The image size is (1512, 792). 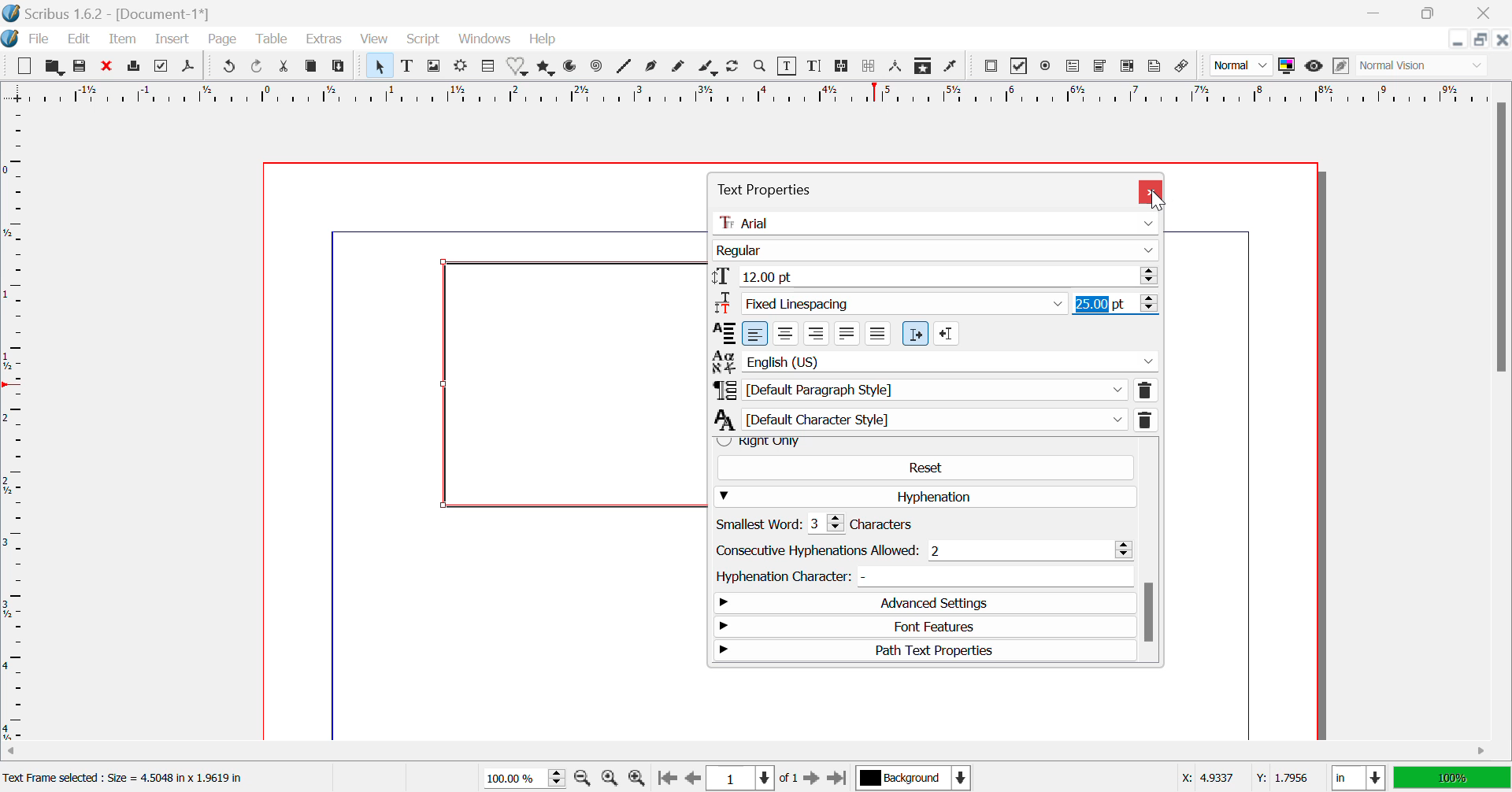 I want to click on Polygons, so click(x=545, y=69).